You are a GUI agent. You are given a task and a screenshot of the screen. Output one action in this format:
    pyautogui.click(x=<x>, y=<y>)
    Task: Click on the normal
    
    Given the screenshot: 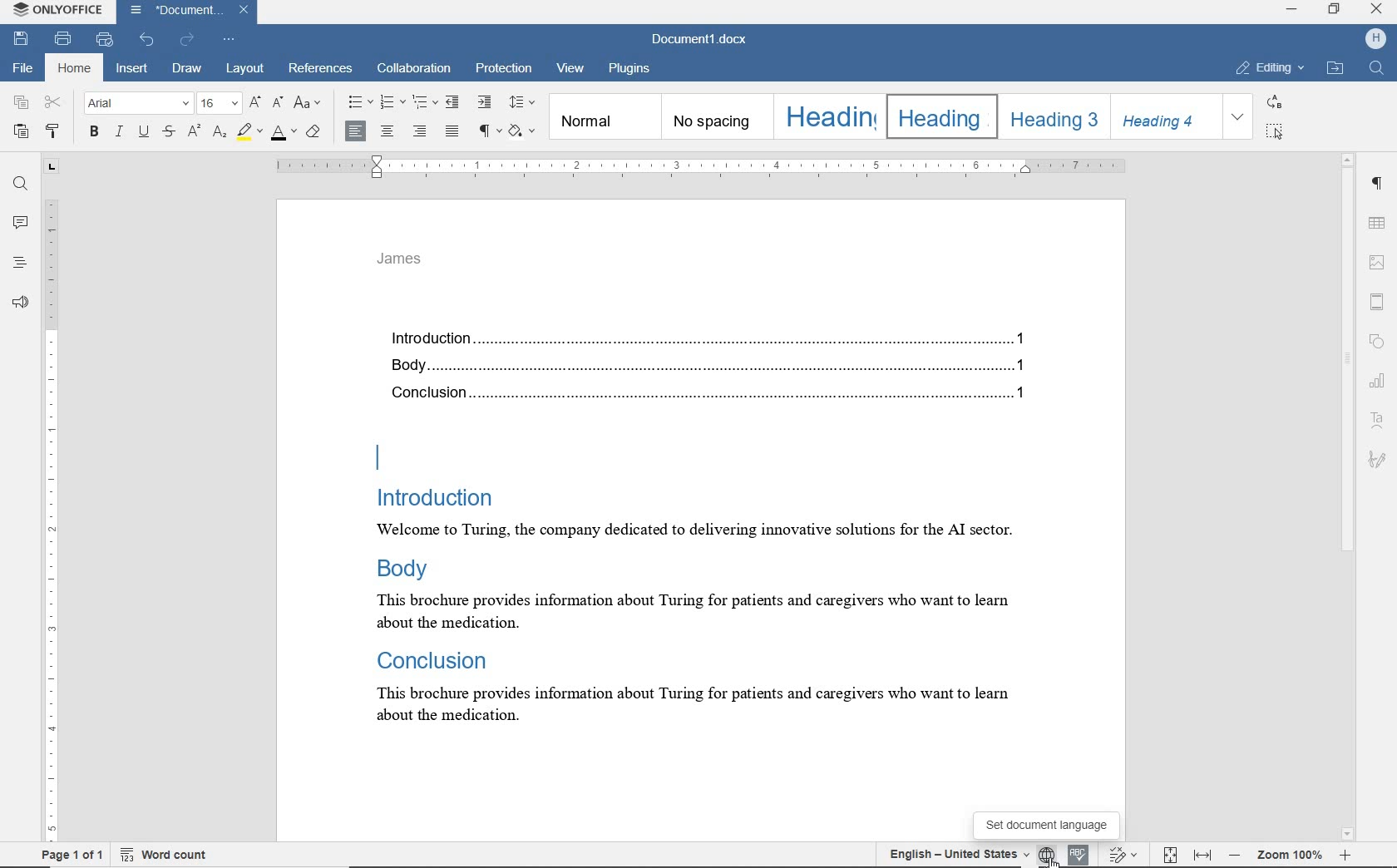 What is the action you would take?
    pyautogui.click(x=604, y=116)
    